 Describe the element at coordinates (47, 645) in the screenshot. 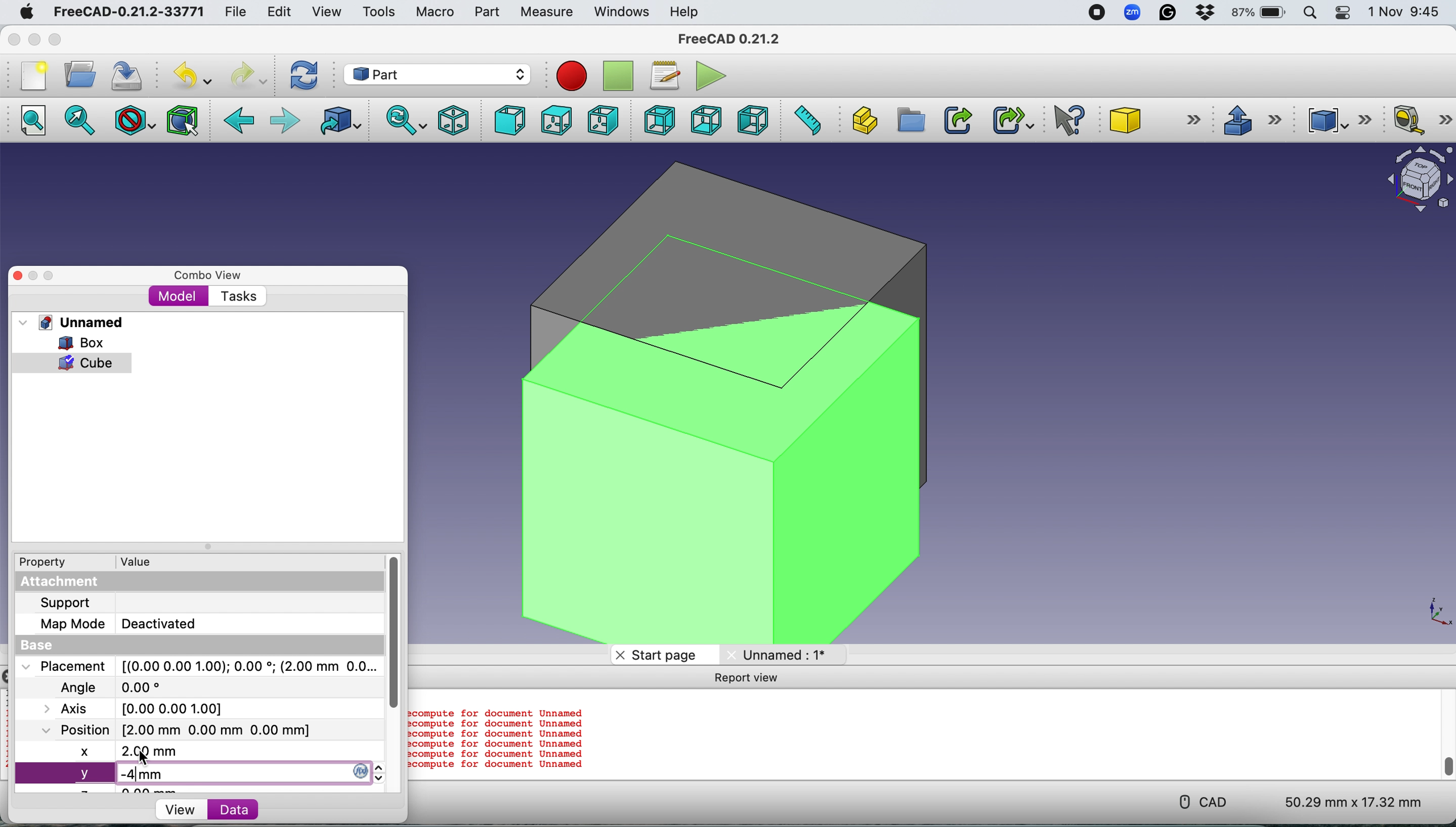

I see `Base` at that location.